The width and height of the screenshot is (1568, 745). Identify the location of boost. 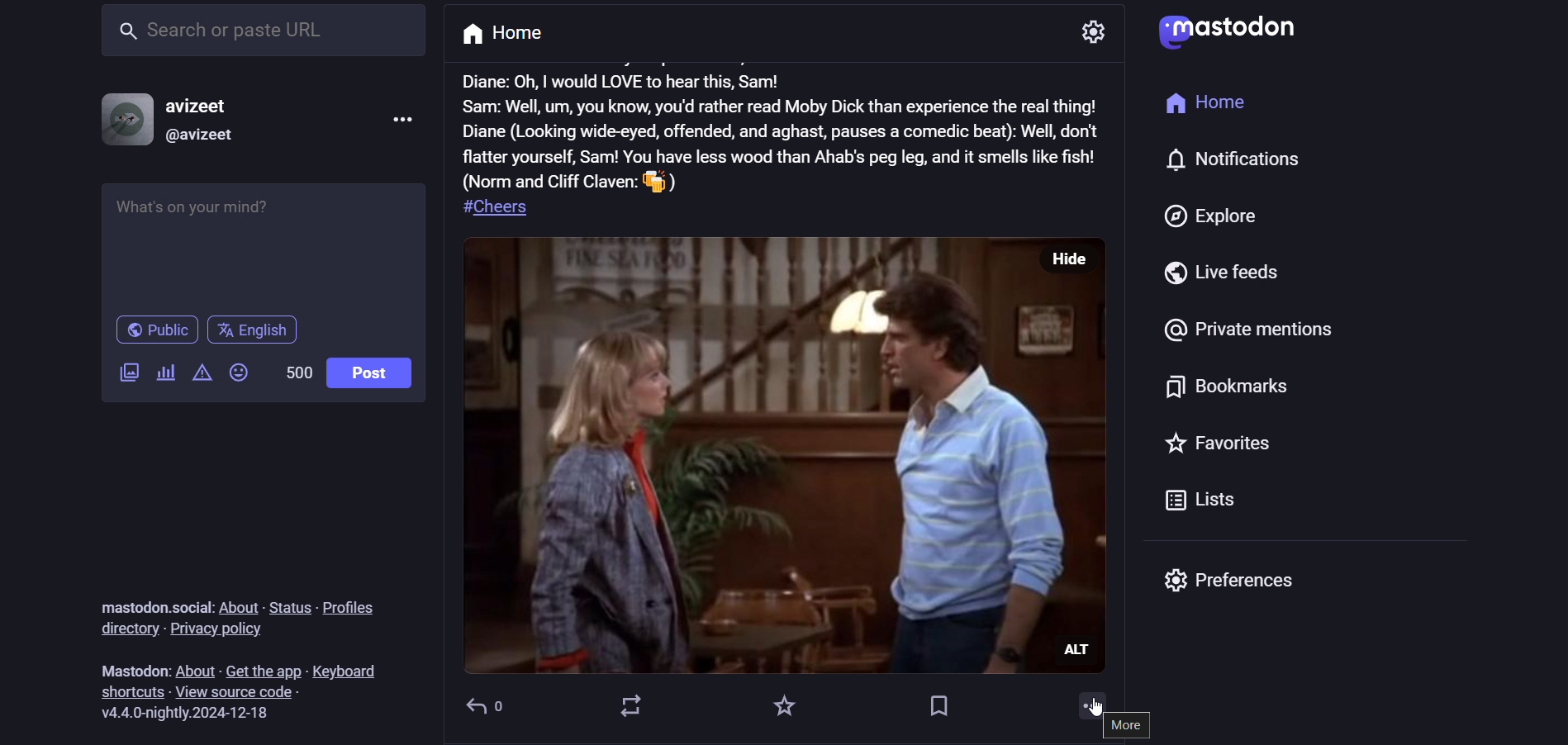
(635, 705).